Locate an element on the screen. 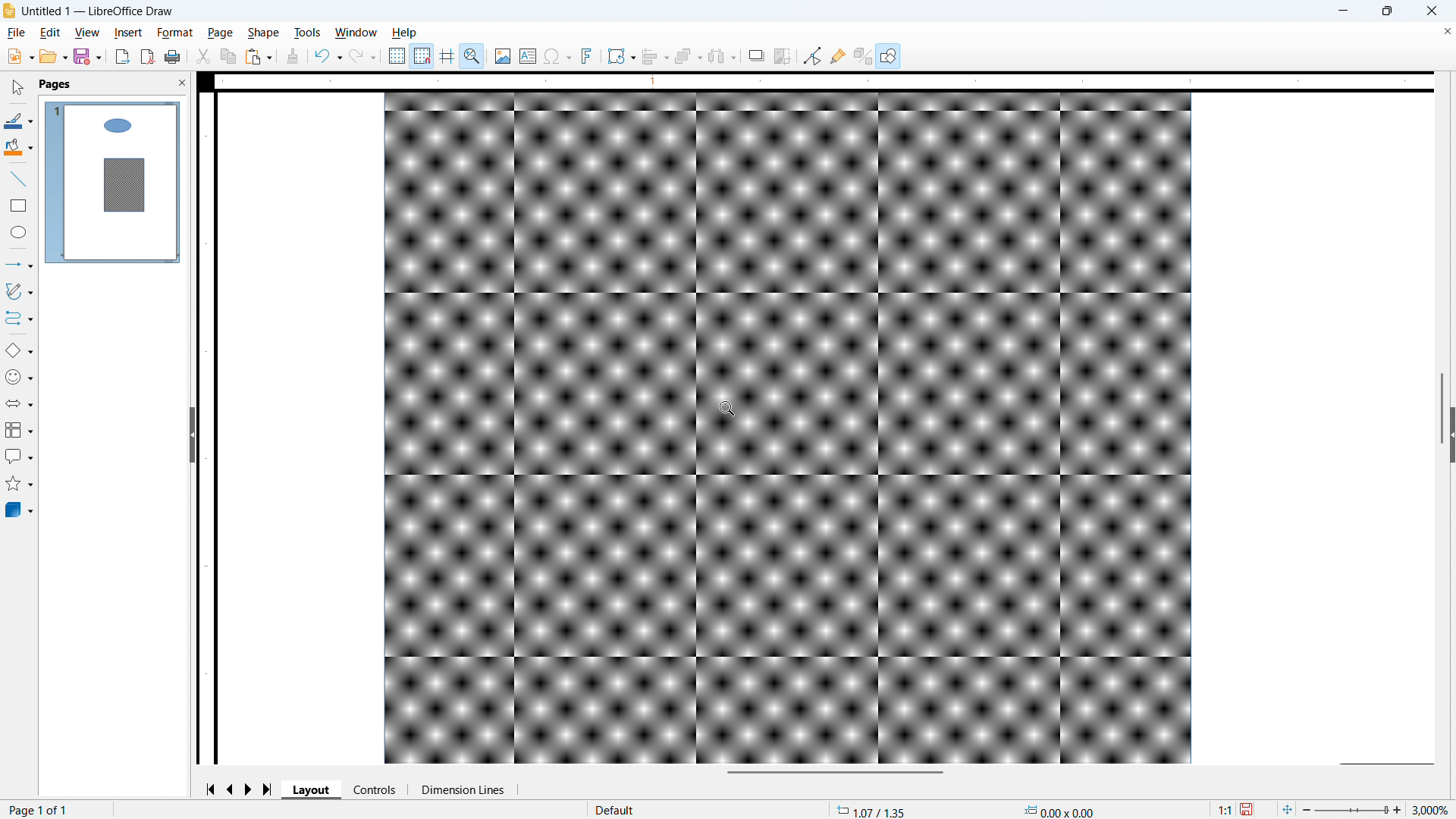 Image resolution: width=1456 pixels, height=819 pixels. Align  is located at coordinates (655, 56).